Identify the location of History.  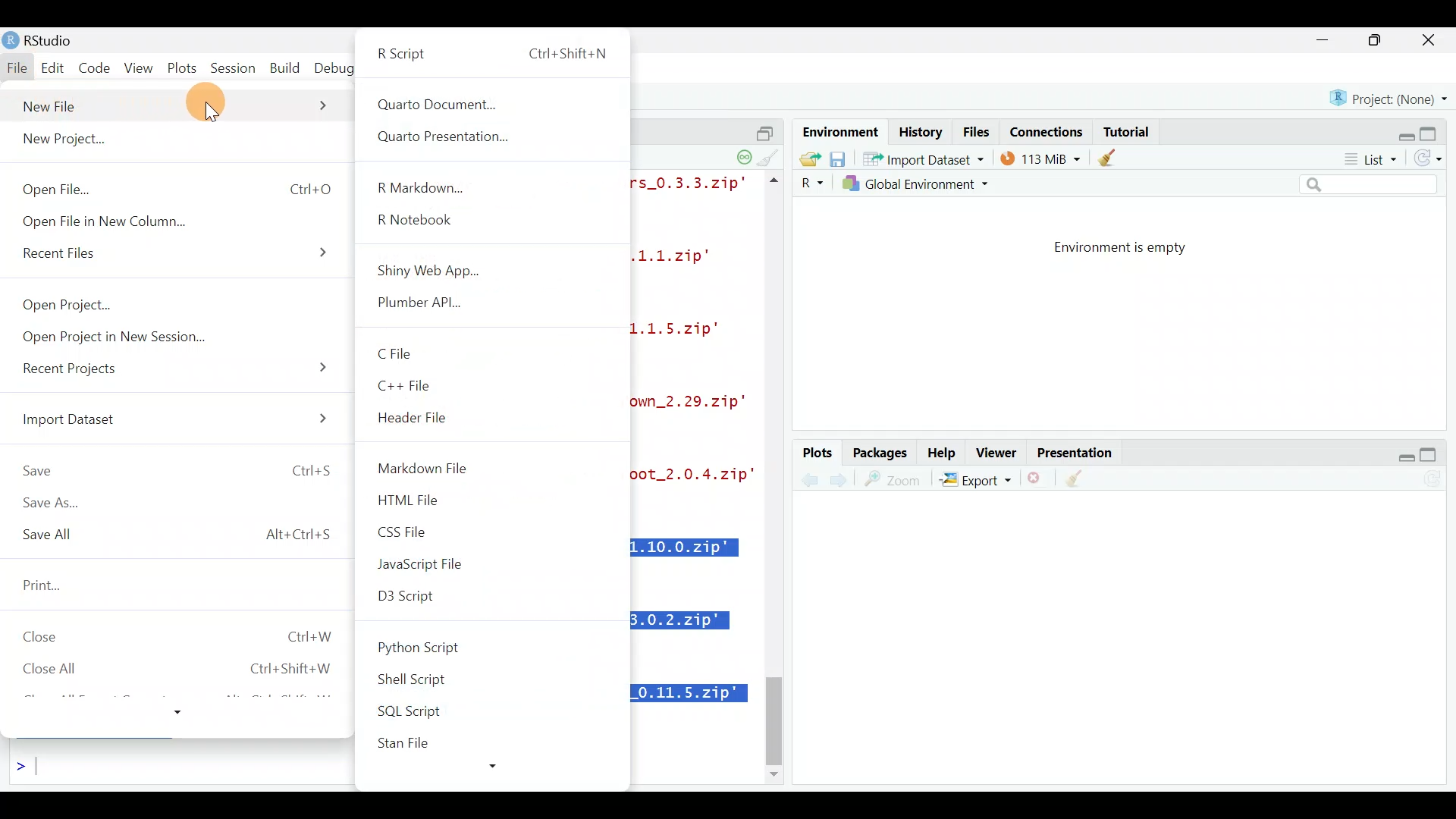
(921, 131).